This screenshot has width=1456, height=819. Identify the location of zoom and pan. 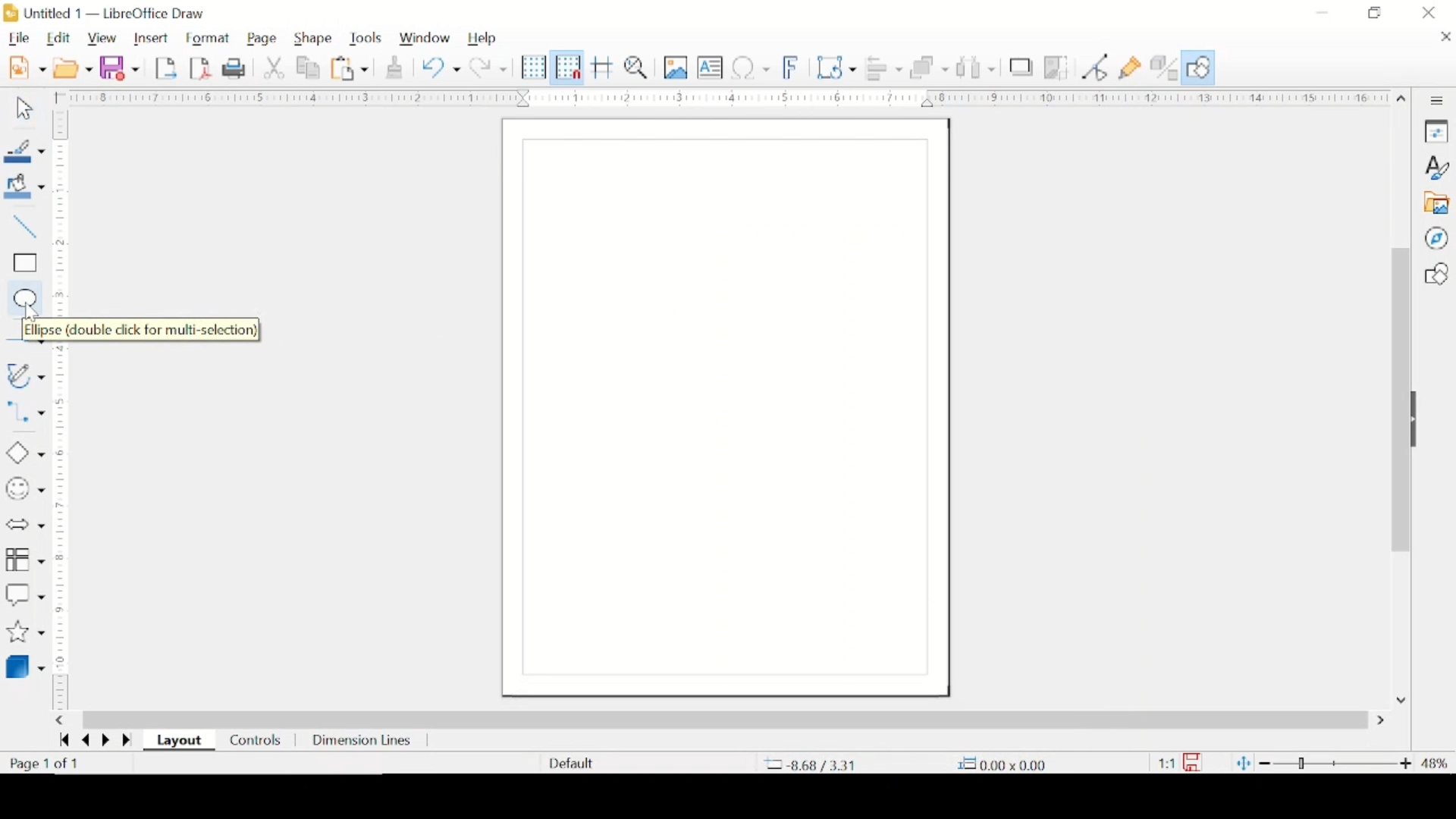
(637, 68).